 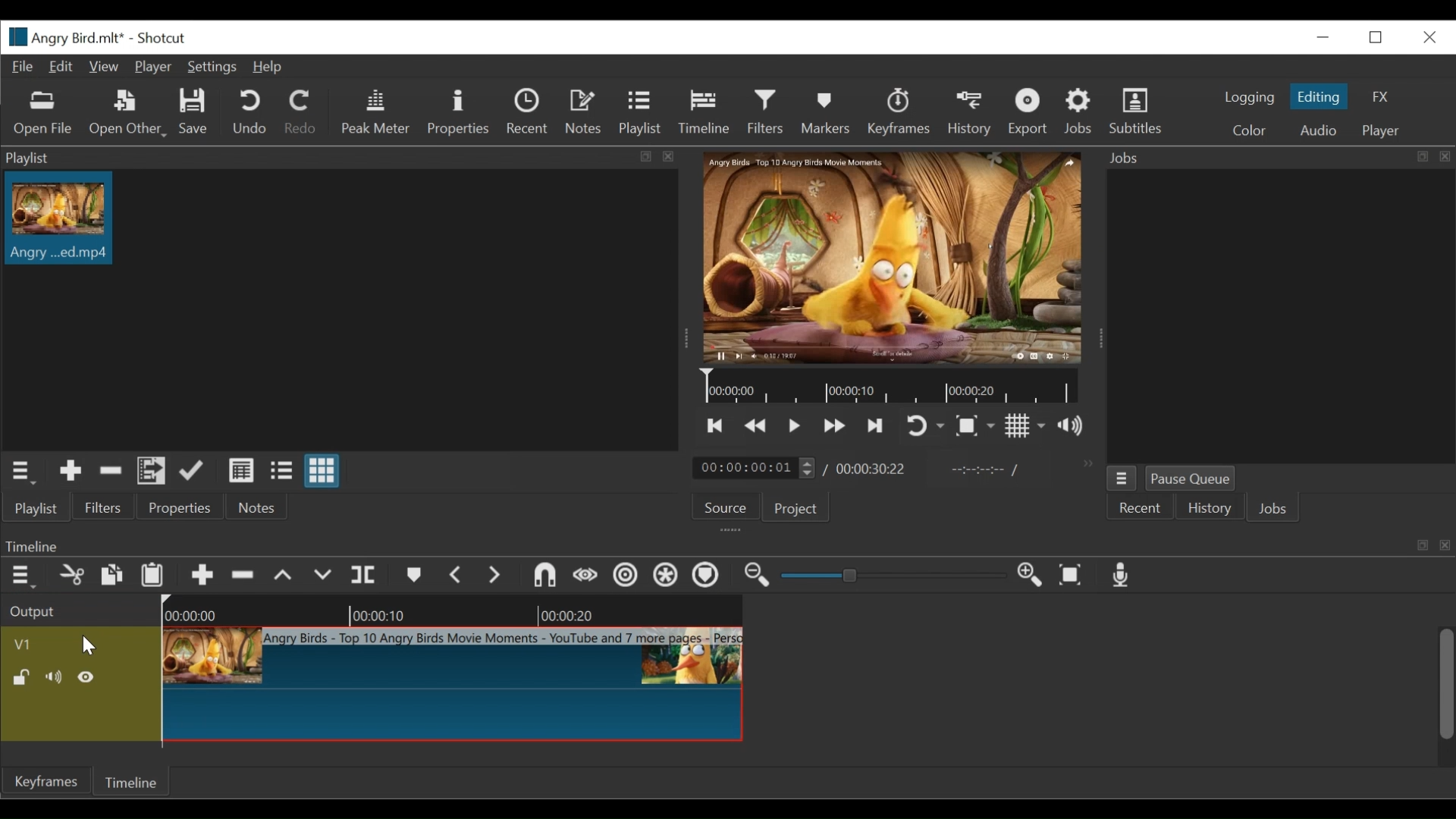 I want to click on Notes, so click(x=586, y=114).